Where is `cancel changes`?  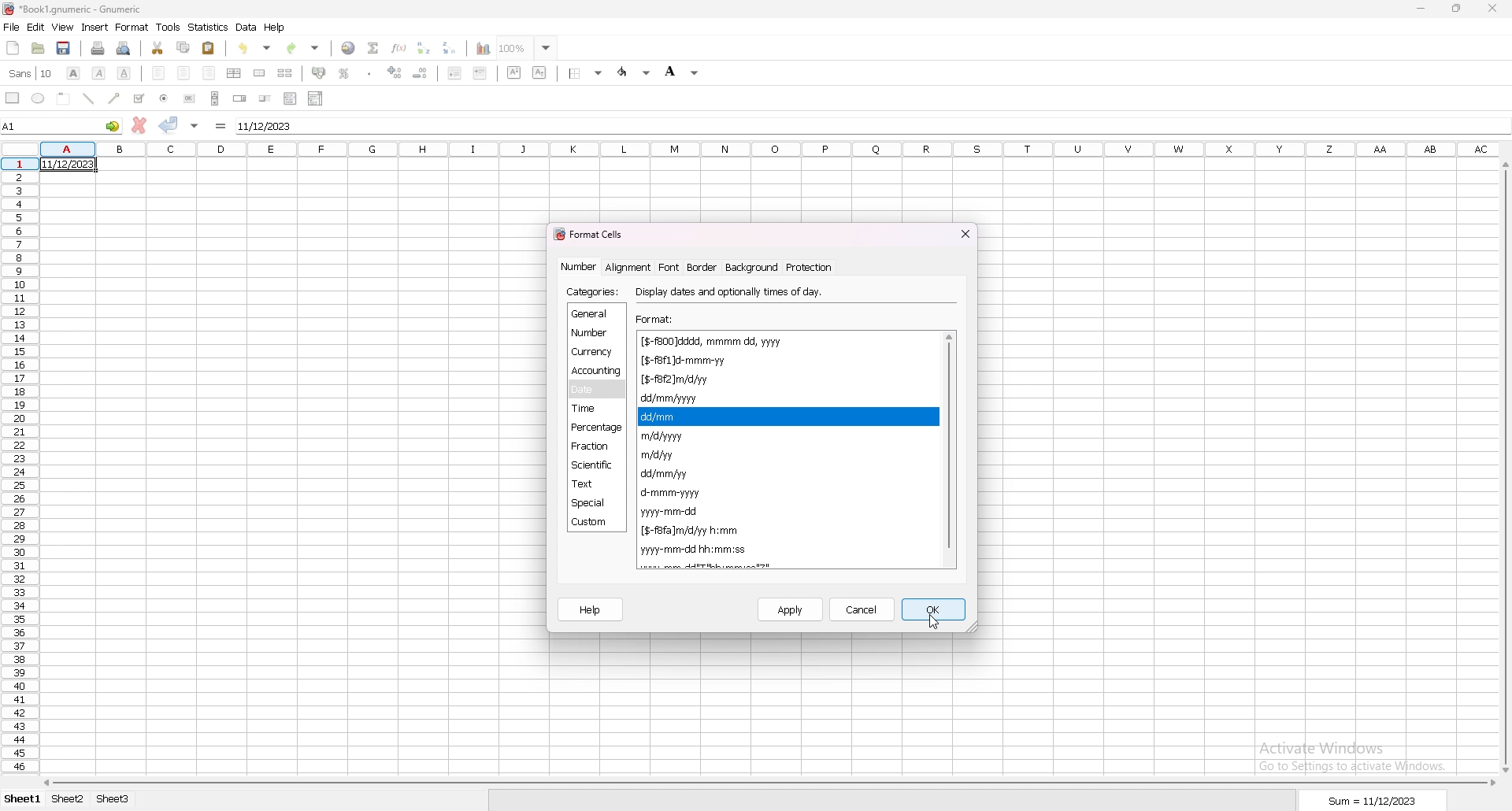
cancel changes is located at coordinates (139, 125).